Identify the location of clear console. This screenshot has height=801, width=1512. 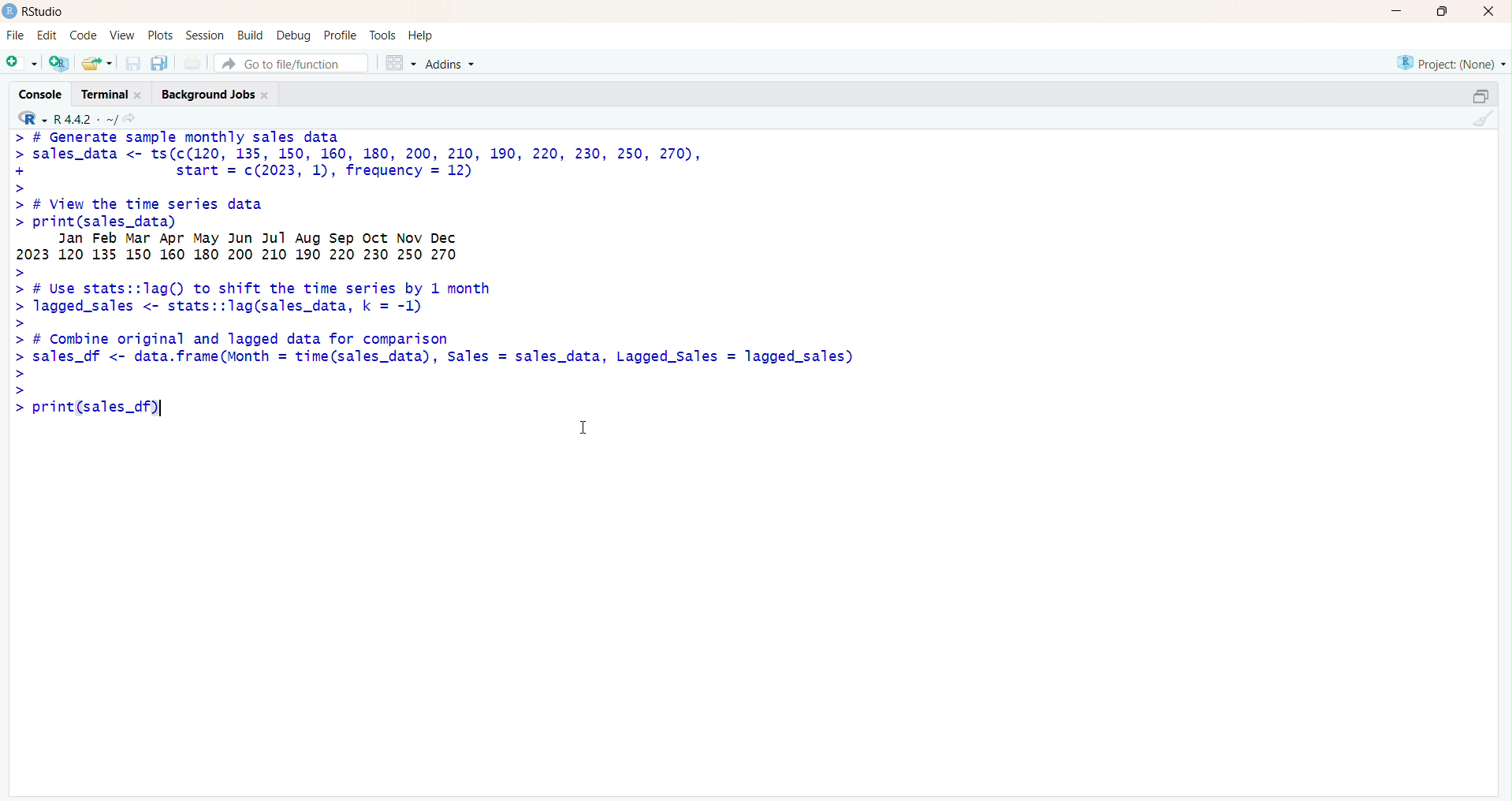
(1482, 120).